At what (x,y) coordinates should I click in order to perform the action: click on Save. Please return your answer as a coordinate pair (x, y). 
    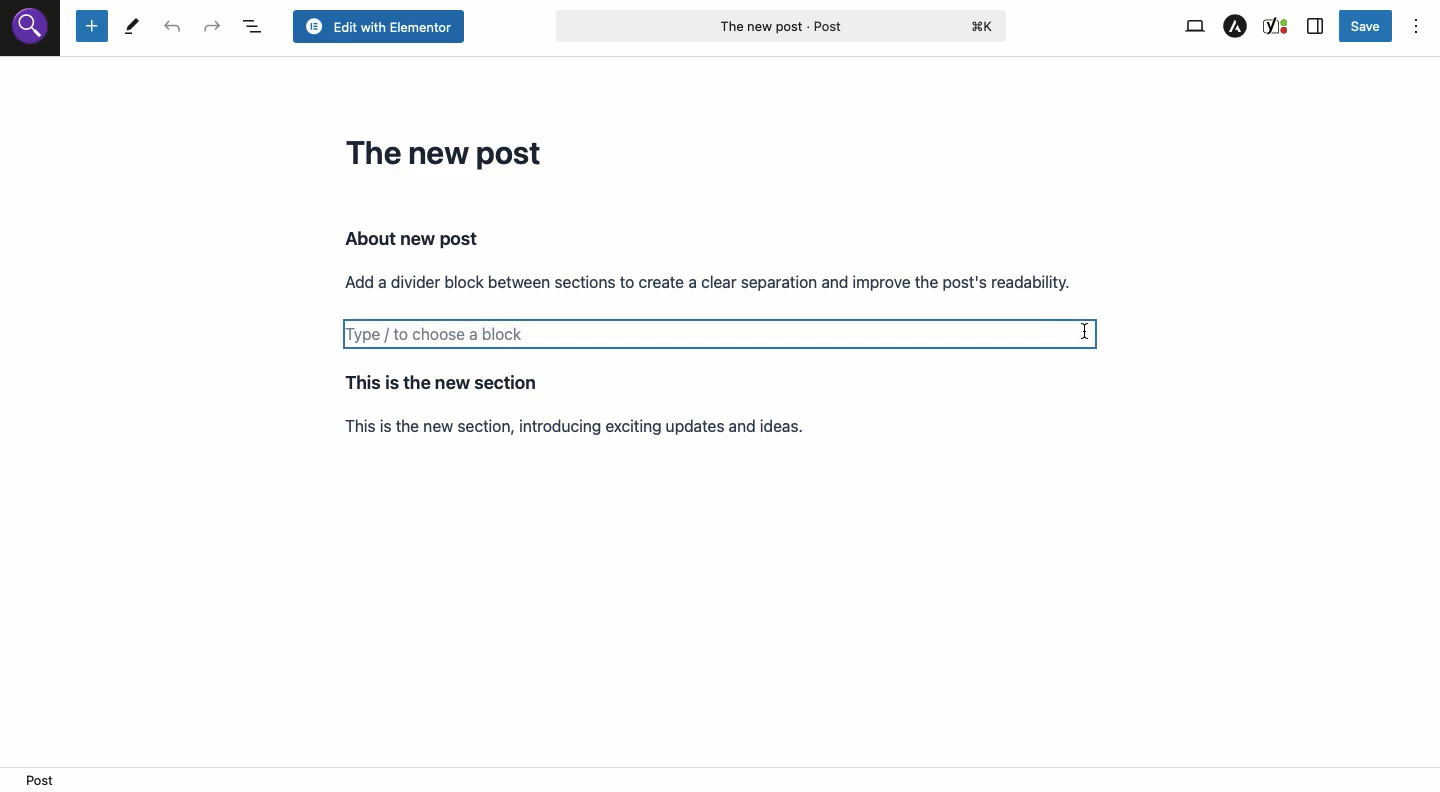
    Looking at the image, I should click on (1367, 25).